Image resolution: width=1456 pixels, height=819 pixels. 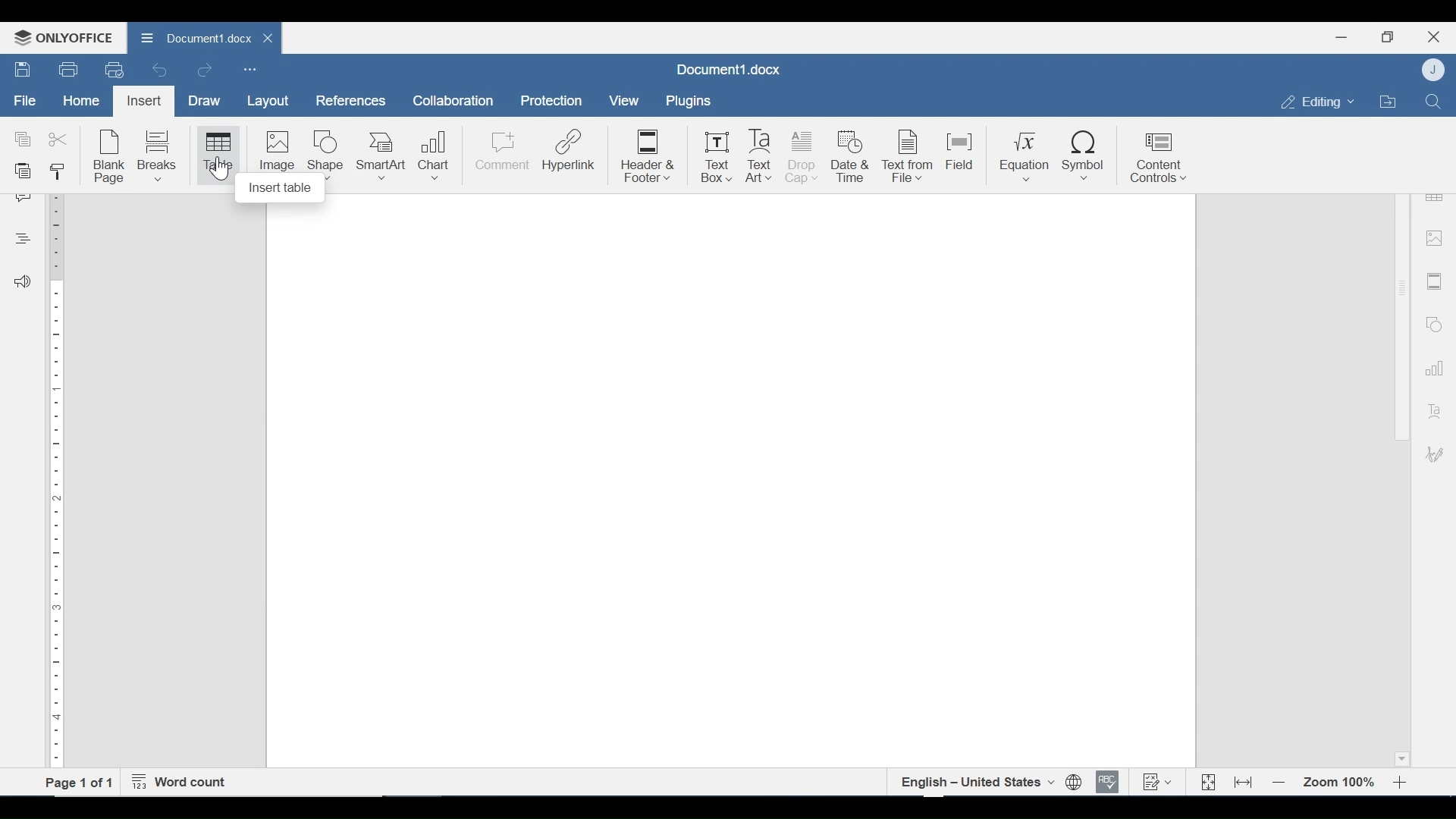 What do you see at coordinates (26, 101) in the screenshot?
I see `File` at bounding box center [26, 101].